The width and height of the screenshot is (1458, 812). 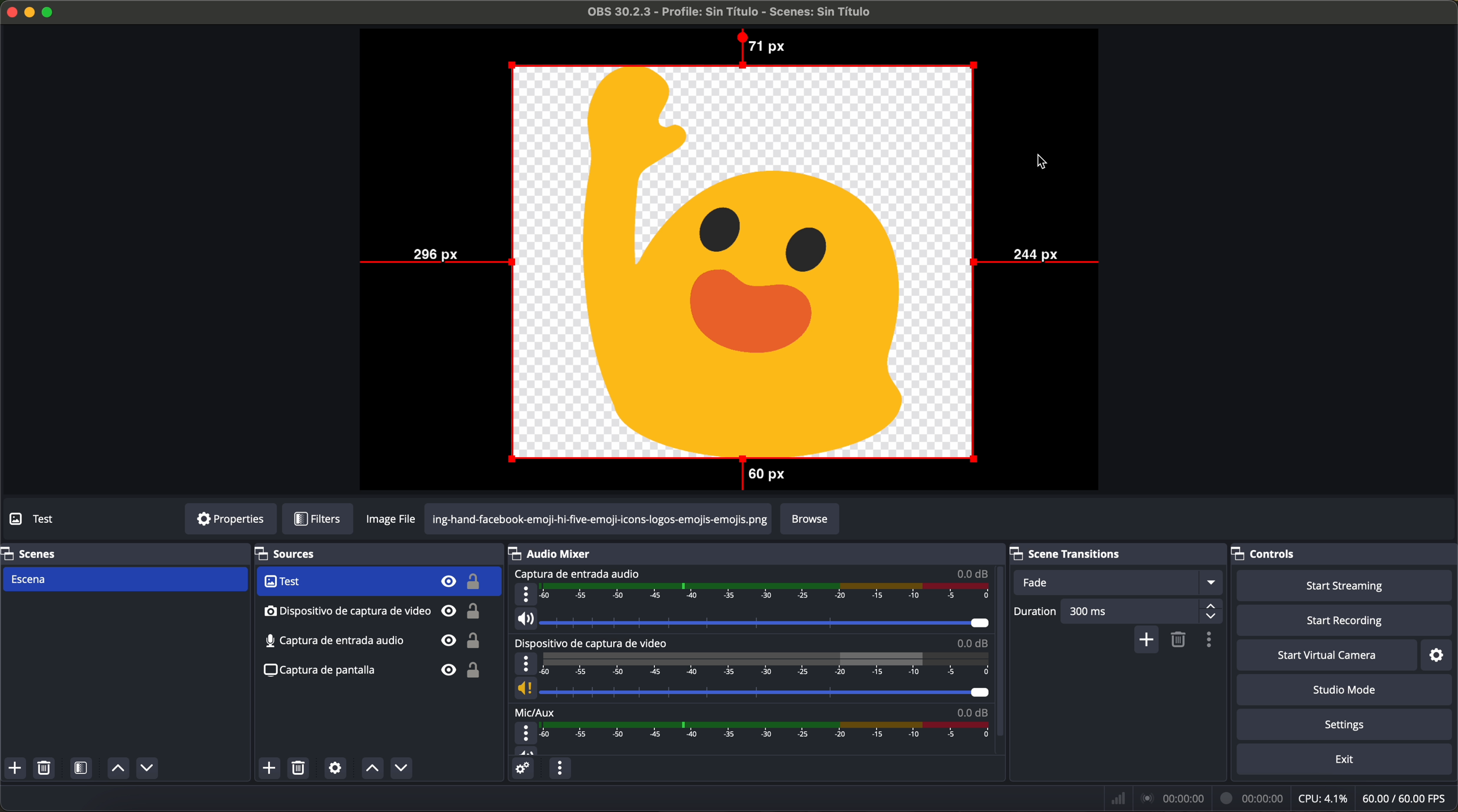 I want to click on video capture device, so click(x=378, y=582).